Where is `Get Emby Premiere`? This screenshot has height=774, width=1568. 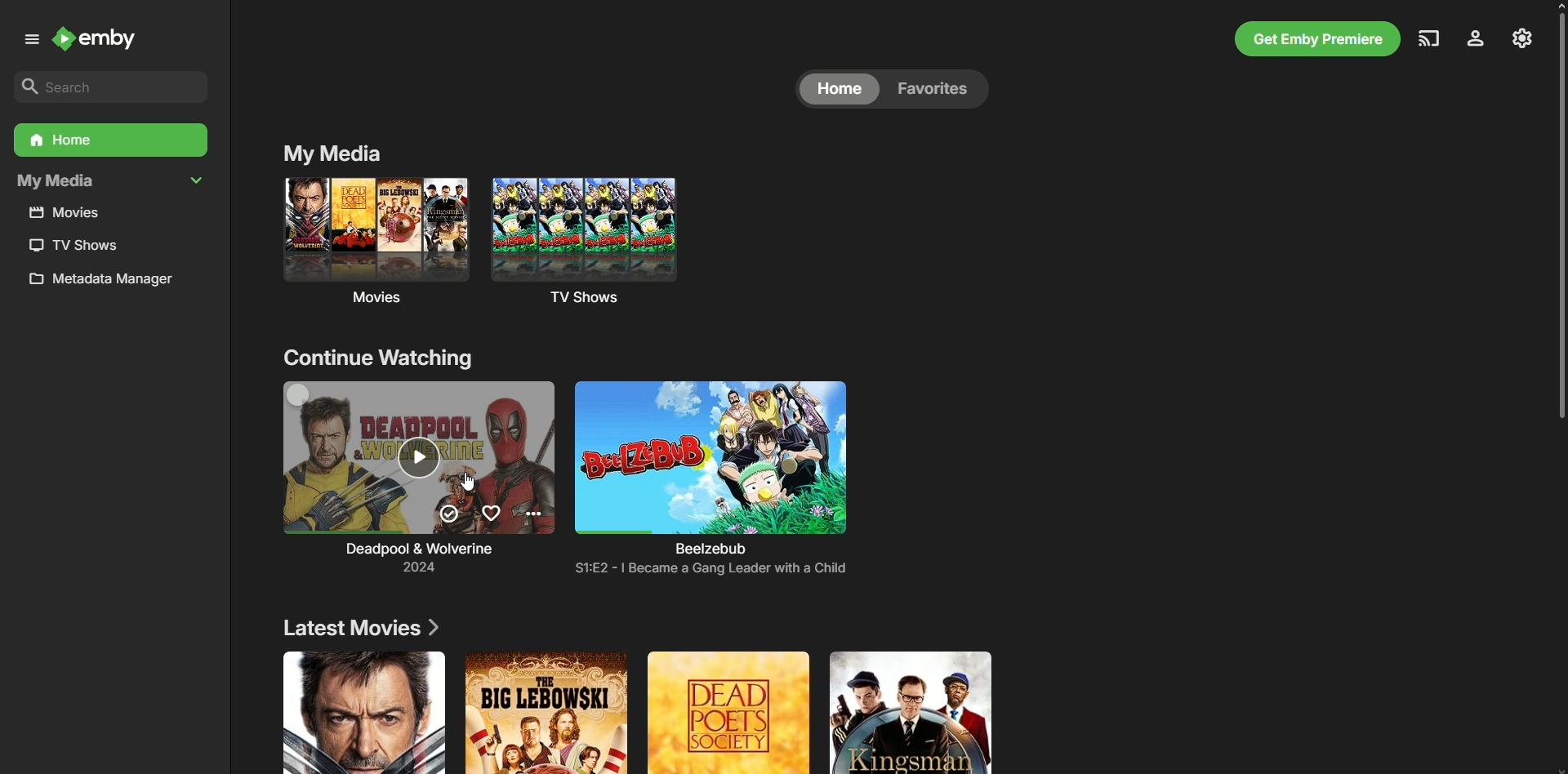
Get Emby Premiere is located at coordinates (1314, 39).